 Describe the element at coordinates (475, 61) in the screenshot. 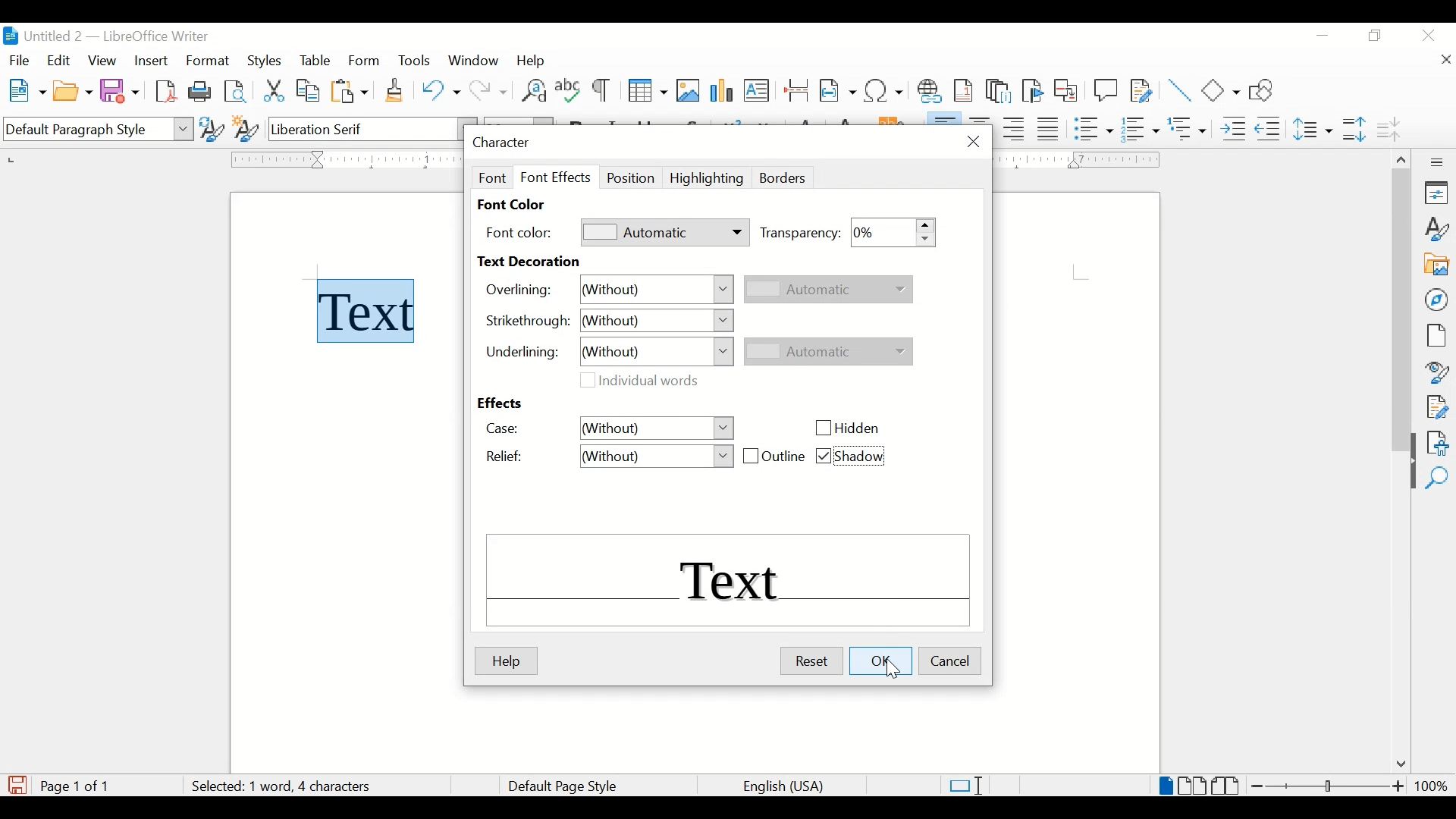

I see `window` at that location.